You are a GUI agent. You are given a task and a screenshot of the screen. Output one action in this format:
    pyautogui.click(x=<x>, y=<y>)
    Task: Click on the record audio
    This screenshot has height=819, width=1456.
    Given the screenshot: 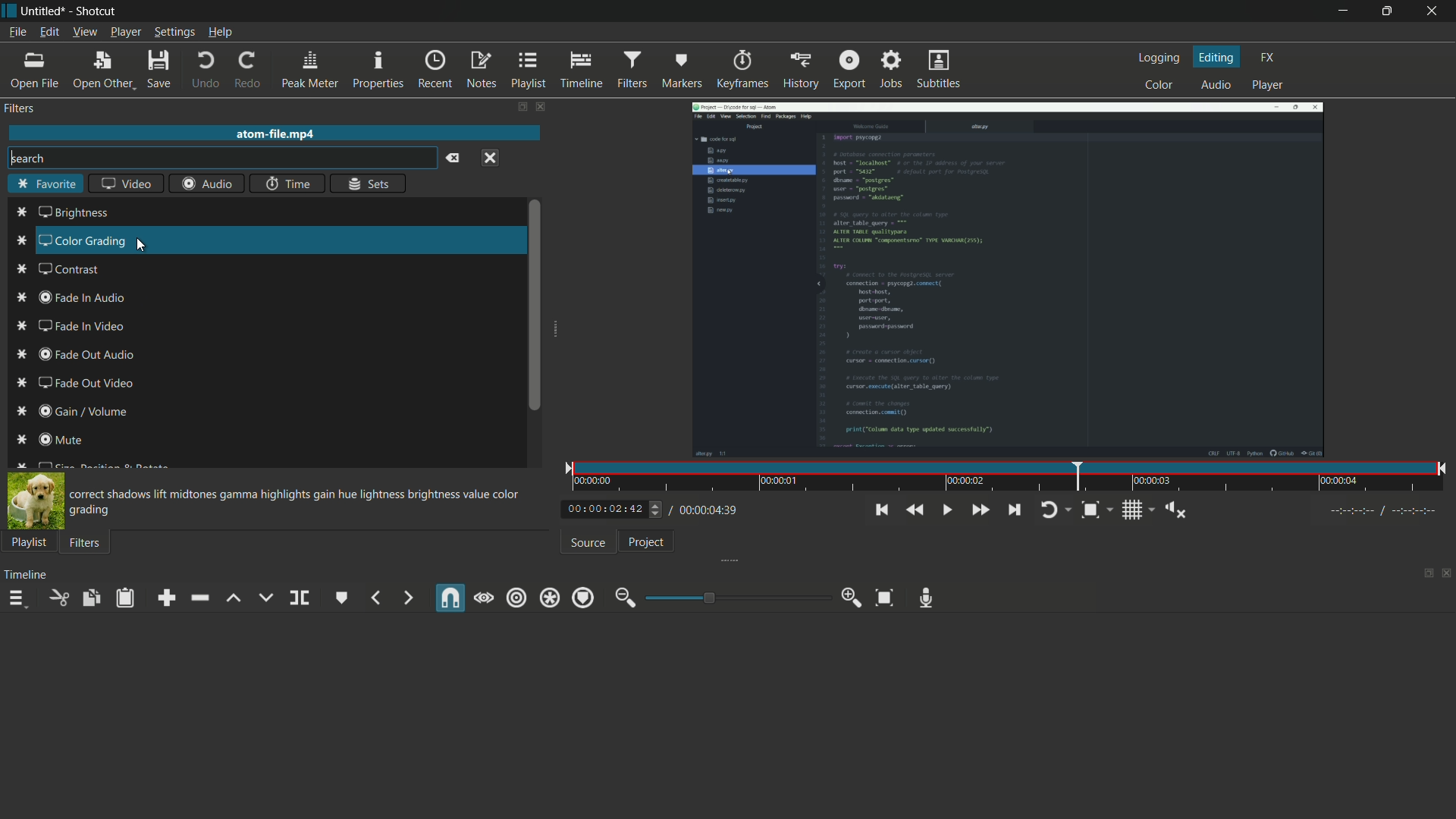 What is the action you would take?
    pyautogui.click(x=927, y=598)
    